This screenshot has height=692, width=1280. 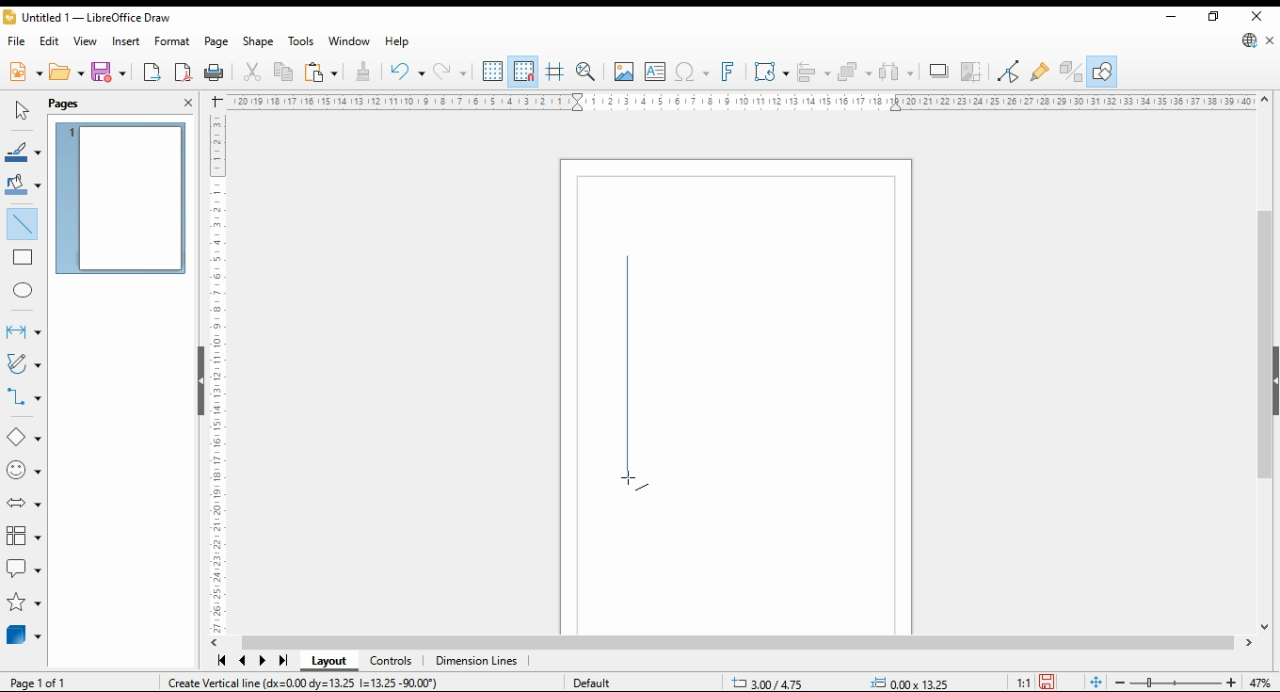 I want to click on next page, so click(x=262, y=662).